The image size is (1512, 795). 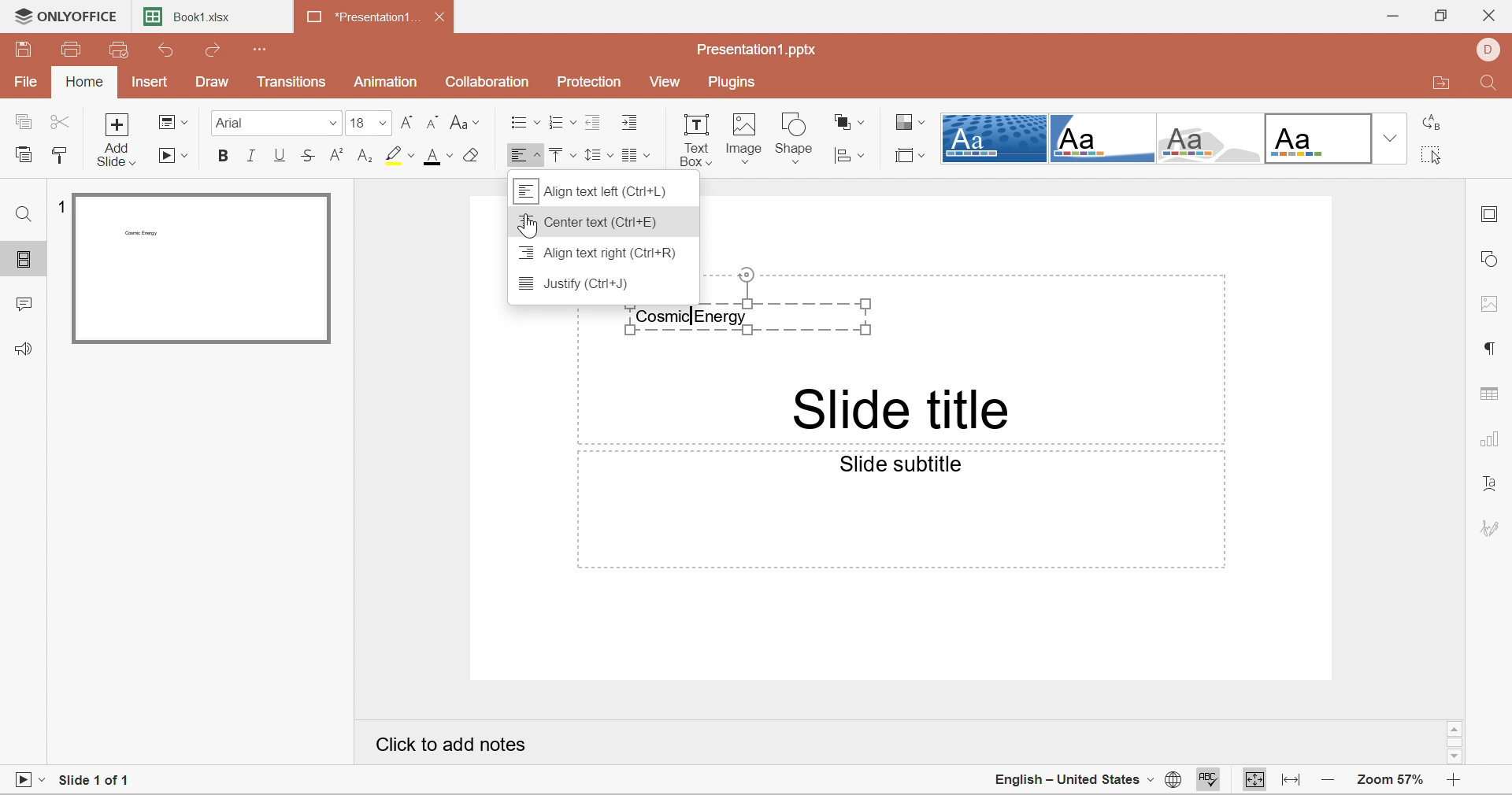 I want to click on Quick Print, so click(x=117, y=50).